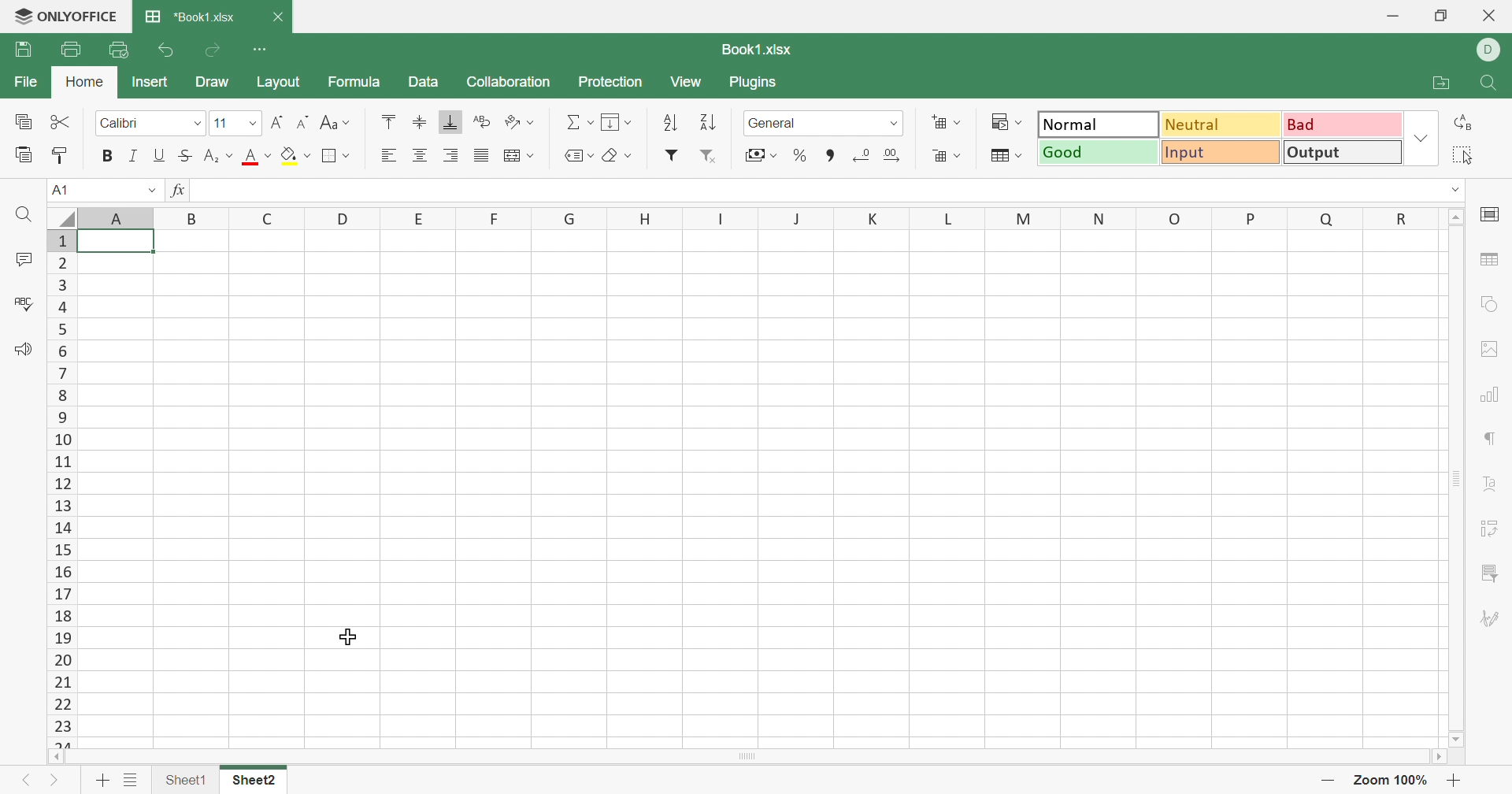  I want to click on Quick Print, so click(123, 50).